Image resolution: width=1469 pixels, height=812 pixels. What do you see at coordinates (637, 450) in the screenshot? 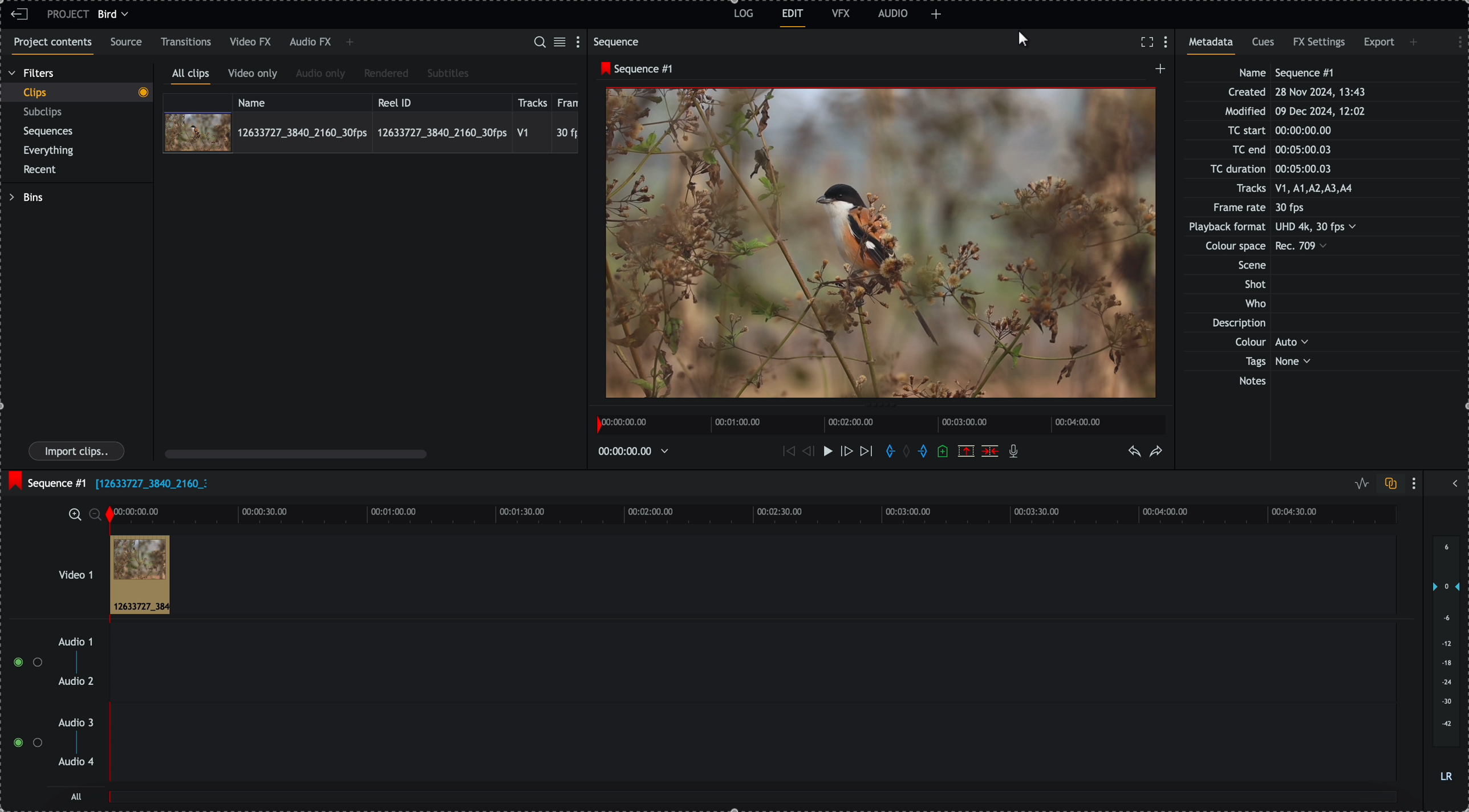
I see `timeline` at bounding box center [637, 450].